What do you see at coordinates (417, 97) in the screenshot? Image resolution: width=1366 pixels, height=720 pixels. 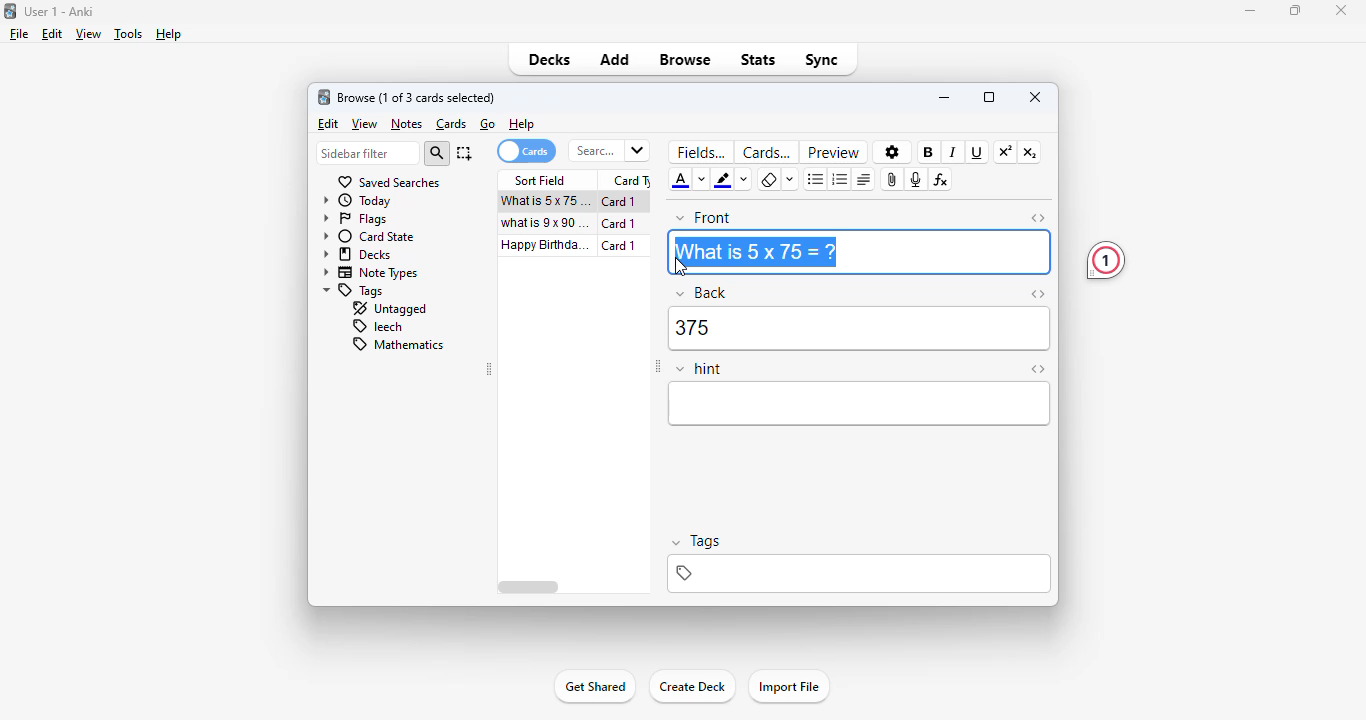 I see `browse (1 of 3 cards selected)` at bounding box center [417, 97].